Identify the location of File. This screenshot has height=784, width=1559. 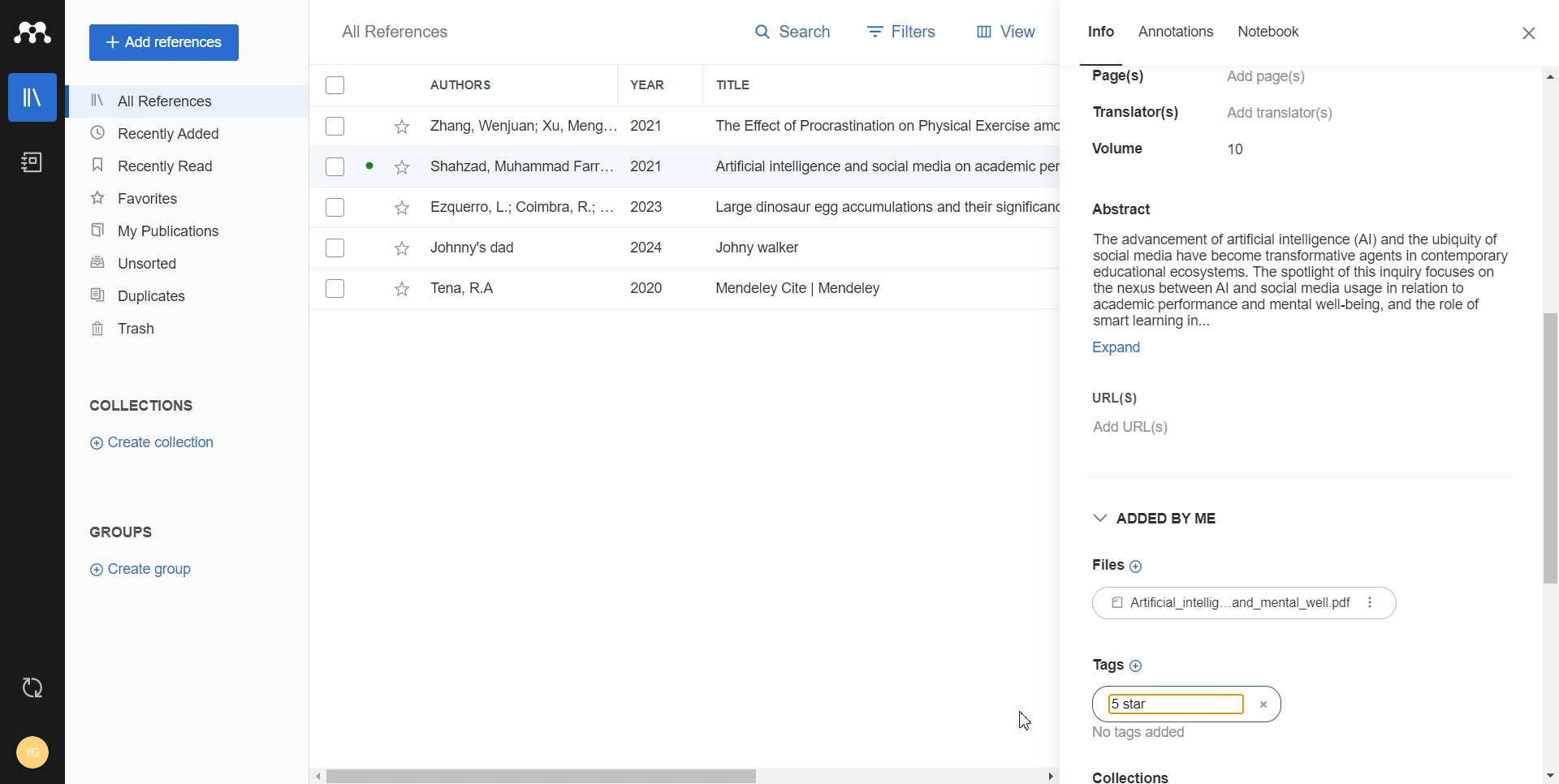
(682, 248).